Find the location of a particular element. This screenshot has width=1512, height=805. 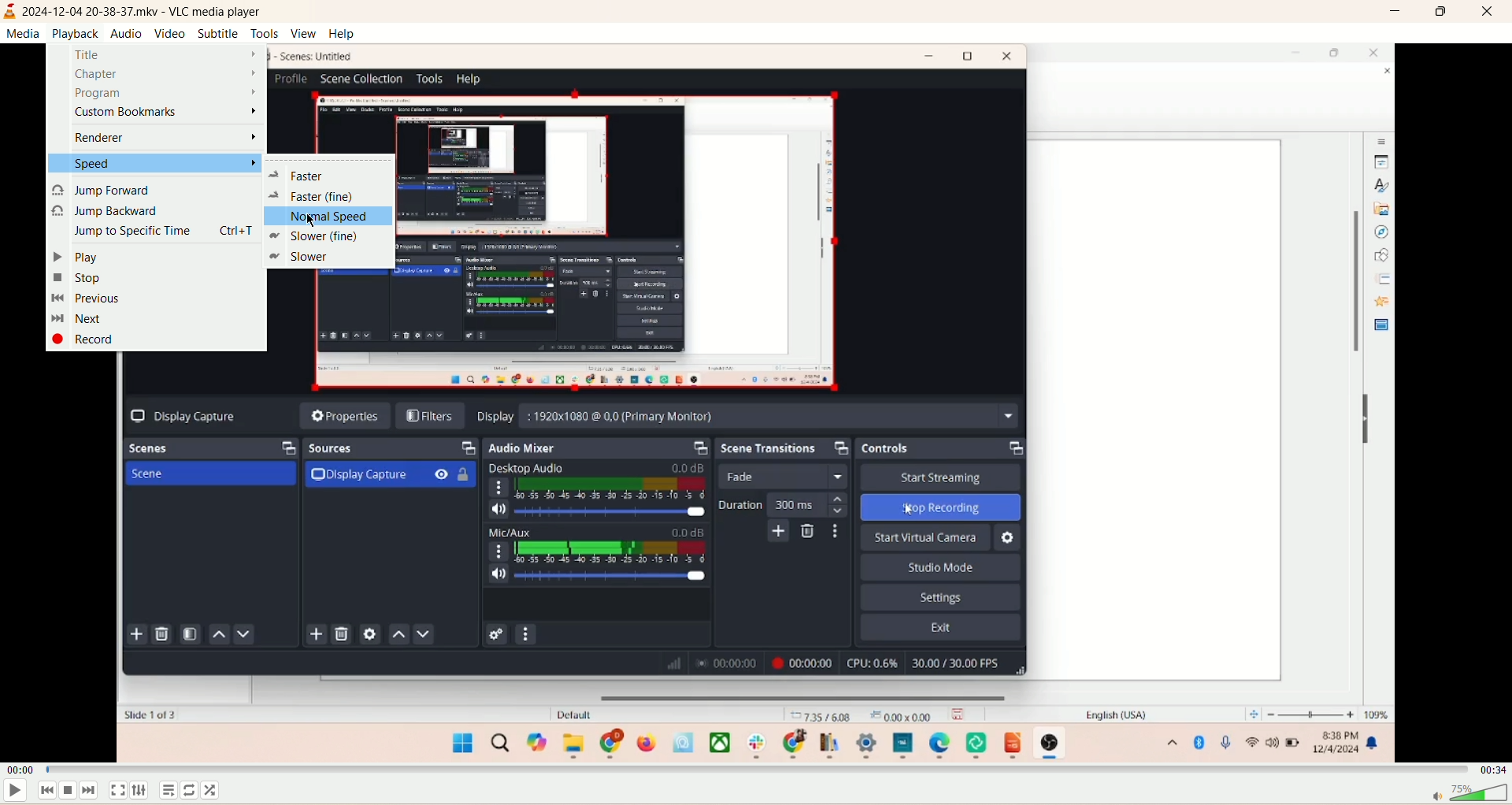

progress bar is located at coordinates (755, 768).